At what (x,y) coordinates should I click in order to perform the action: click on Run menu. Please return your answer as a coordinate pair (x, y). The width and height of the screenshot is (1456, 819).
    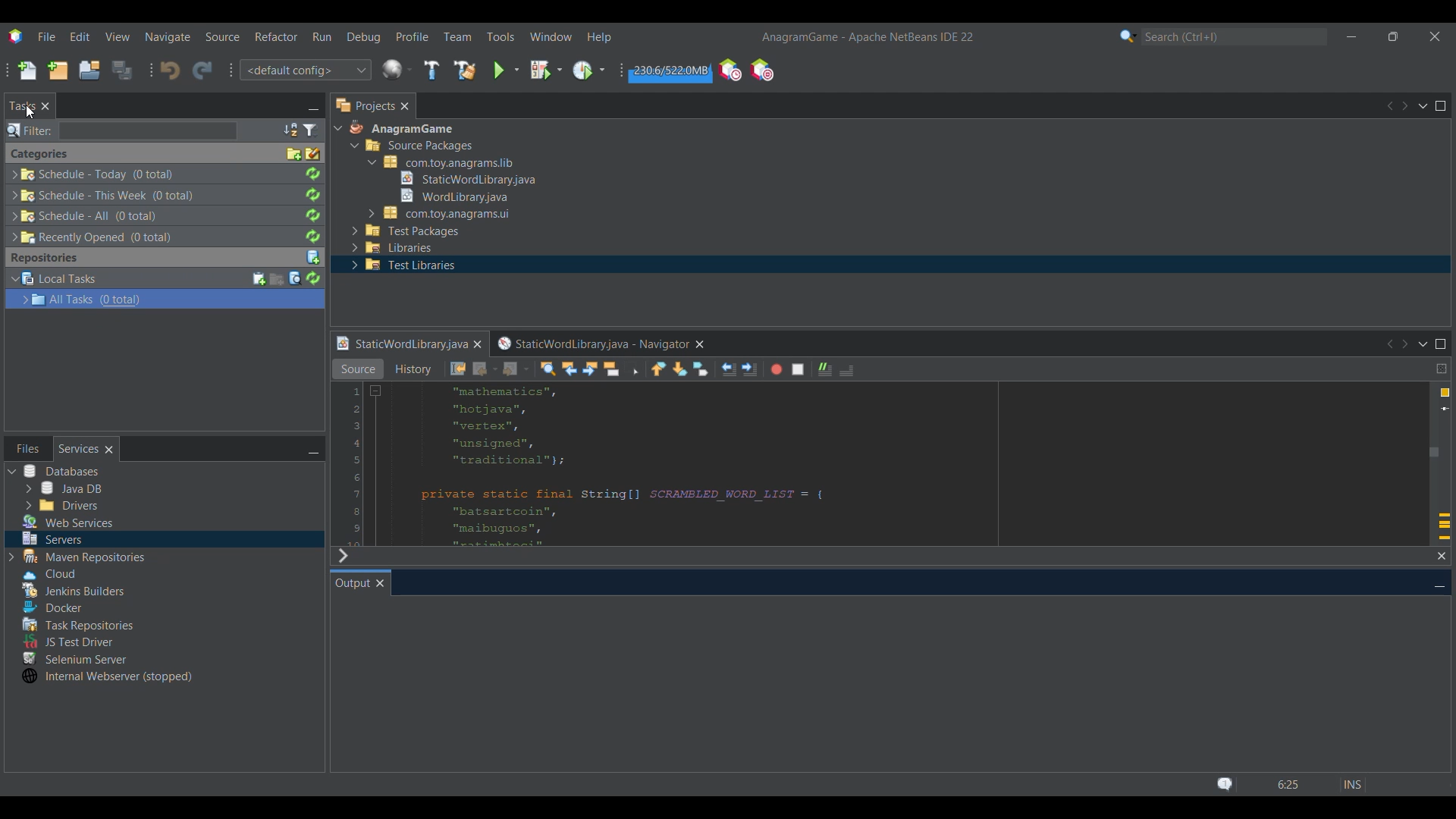
    Looking at the image, I should click on (322, 36).